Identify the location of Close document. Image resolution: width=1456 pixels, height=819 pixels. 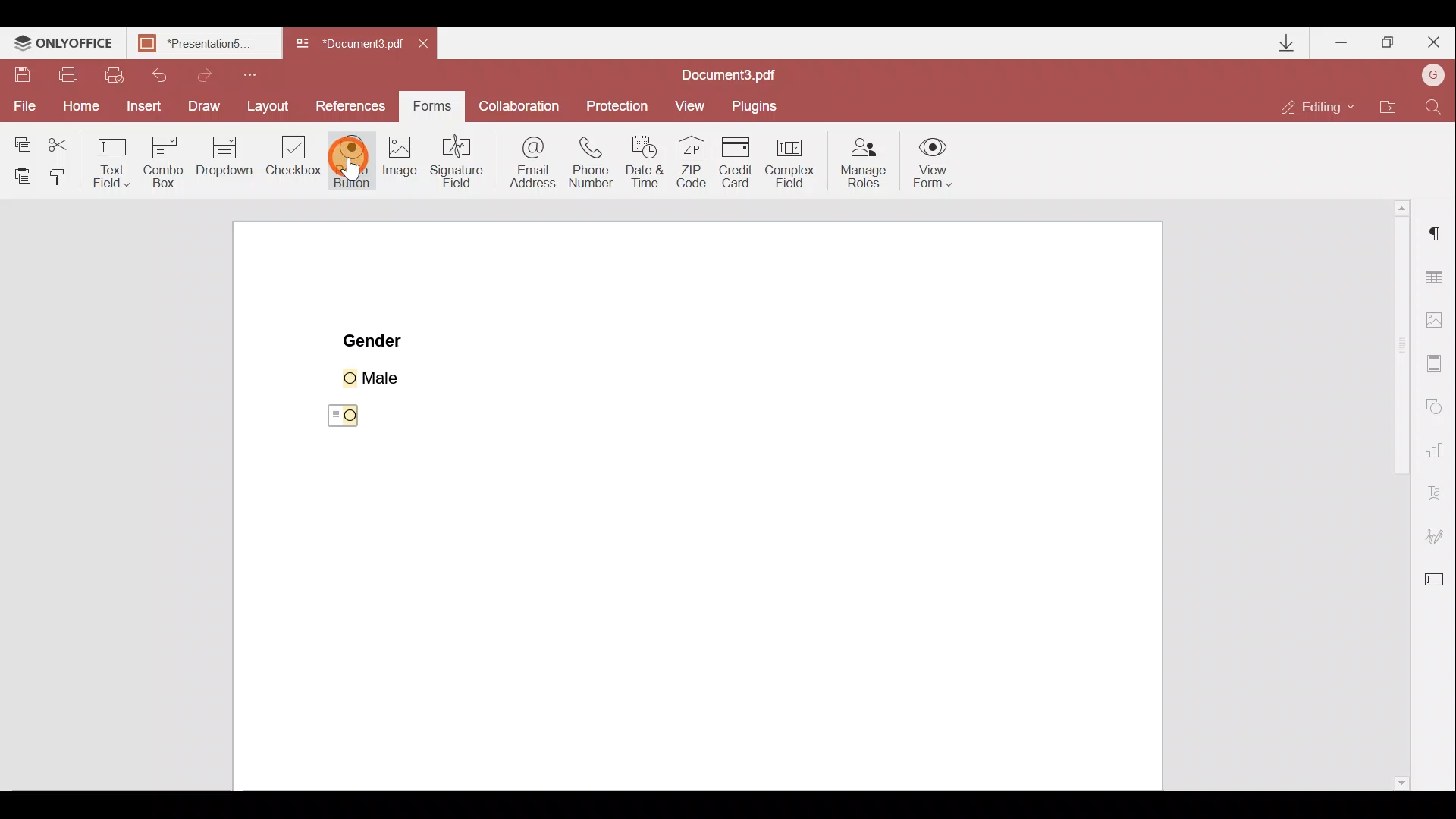
(427, 45).